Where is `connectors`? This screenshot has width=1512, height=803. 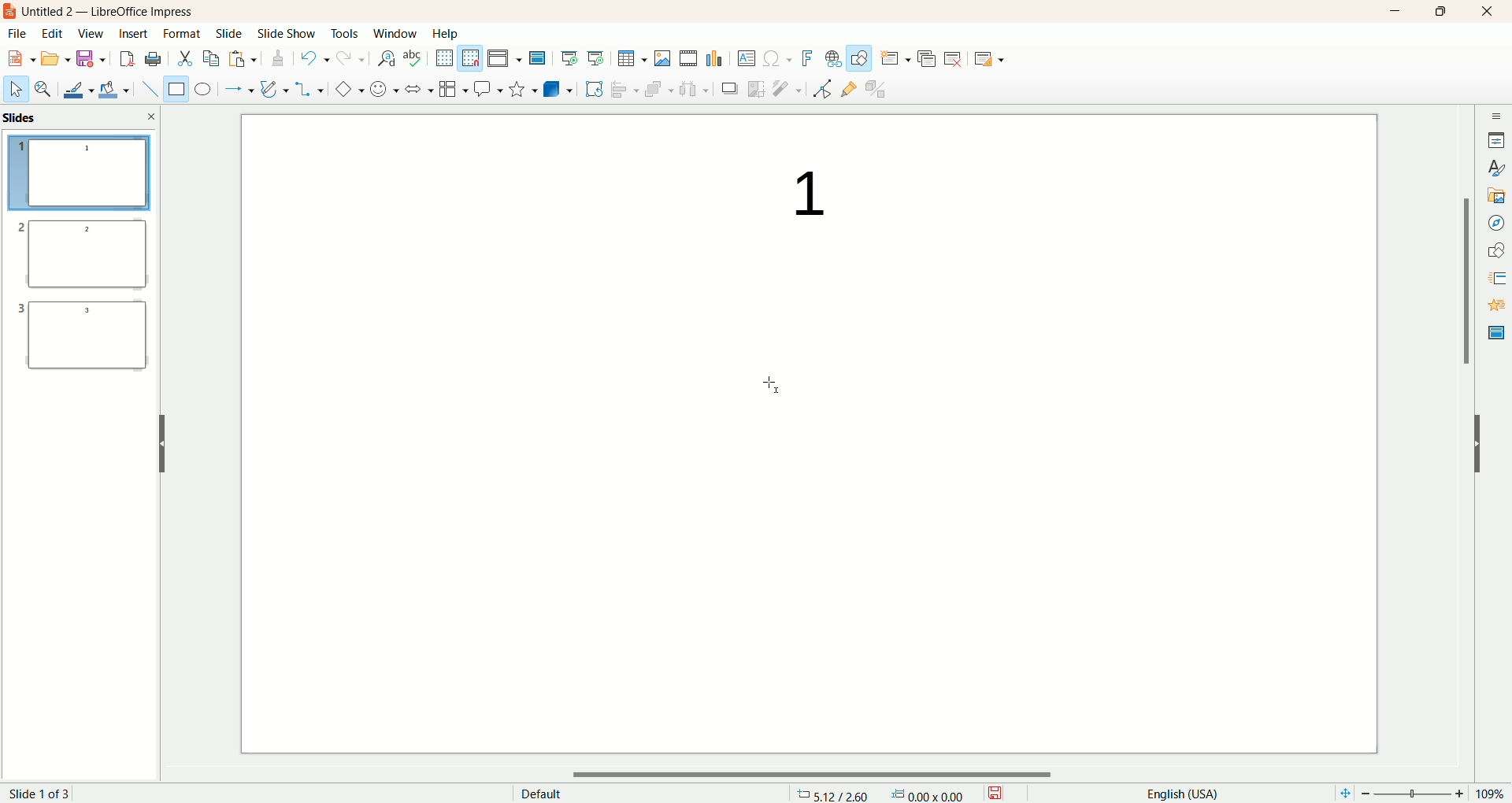
connectors is located at coordinates (309, 89).